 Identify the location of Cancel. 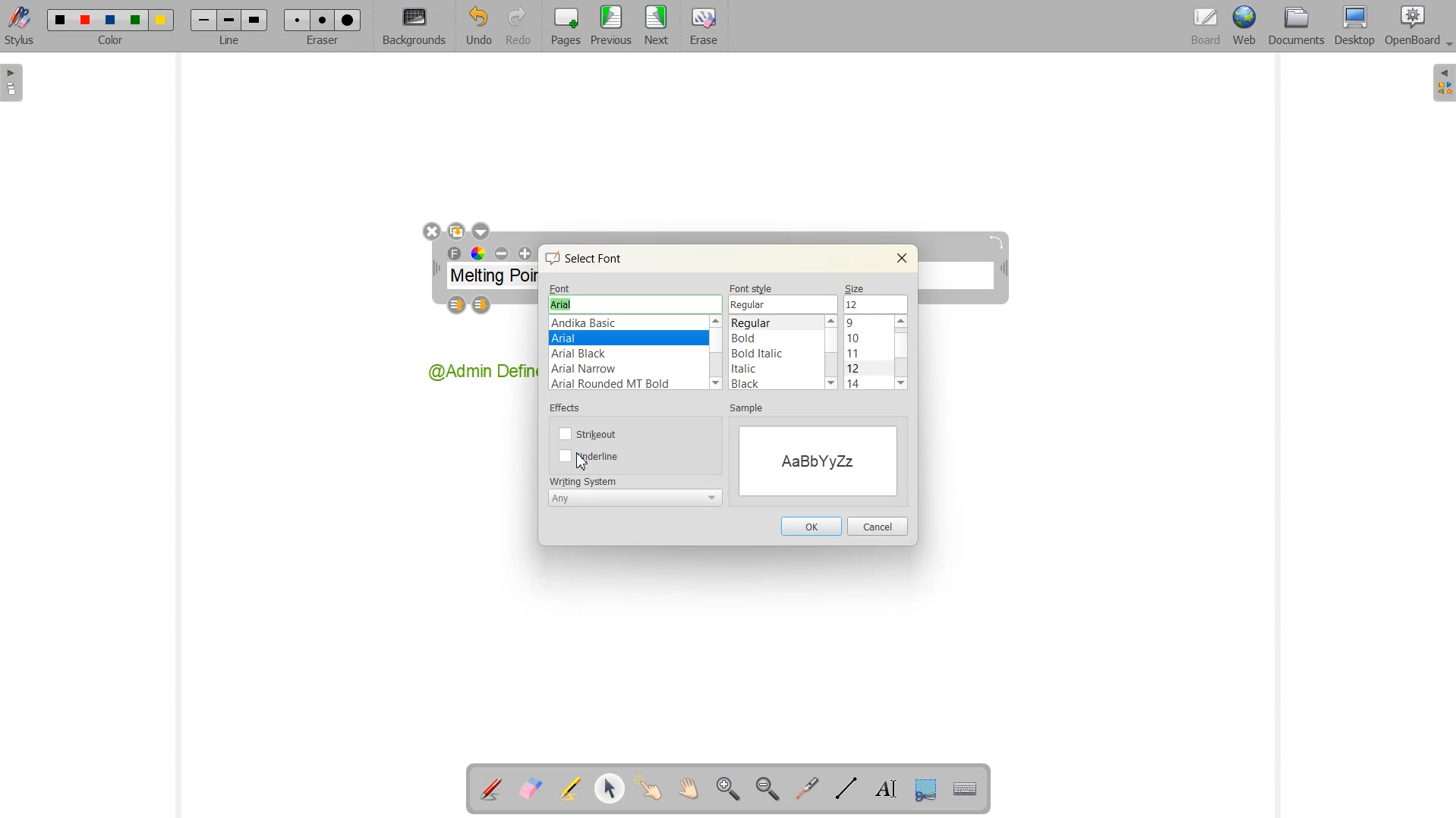
(878, 527).